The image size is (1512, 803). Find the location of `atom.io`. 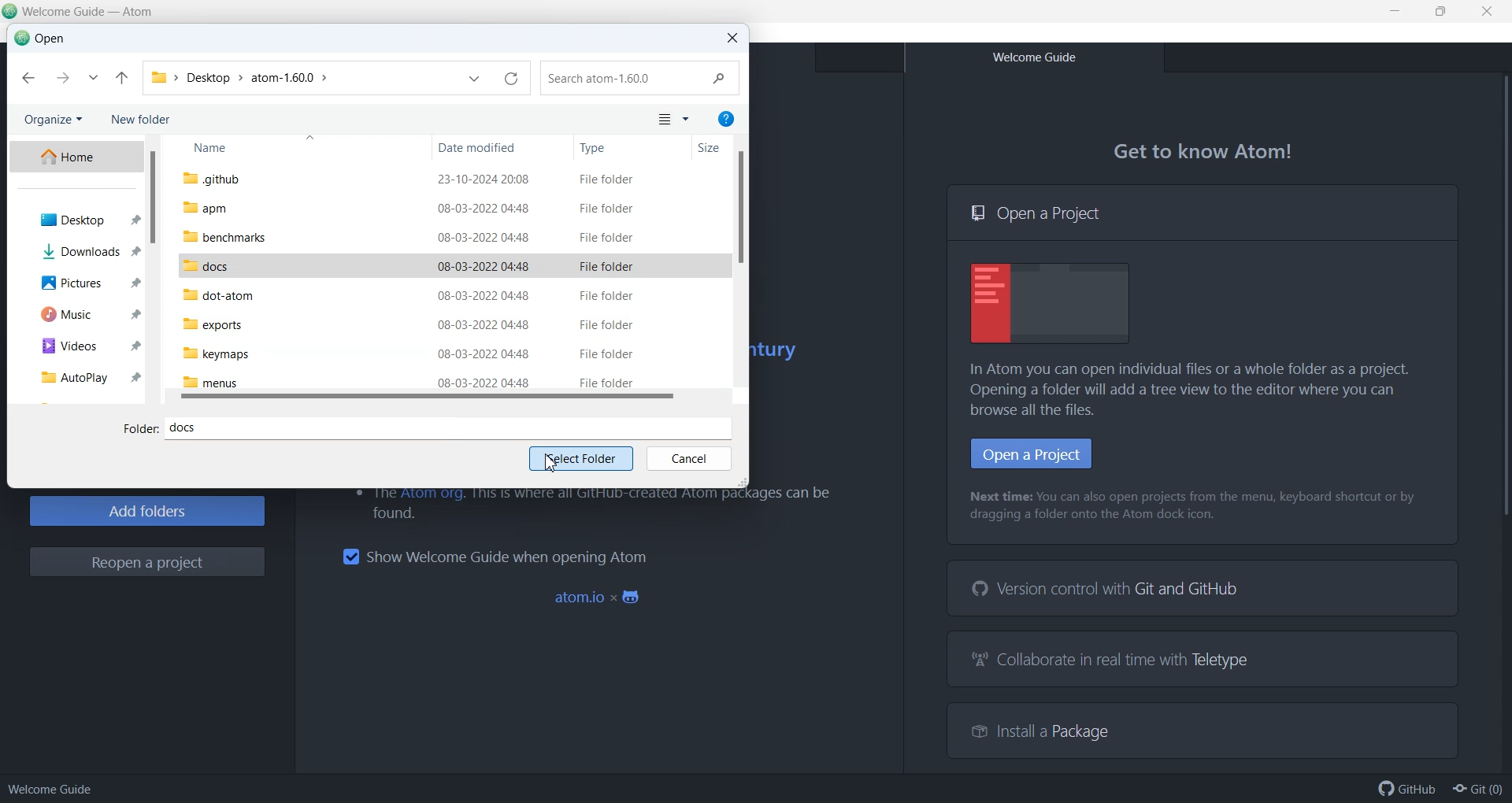

atom.io is located at coordinates (600, 598).